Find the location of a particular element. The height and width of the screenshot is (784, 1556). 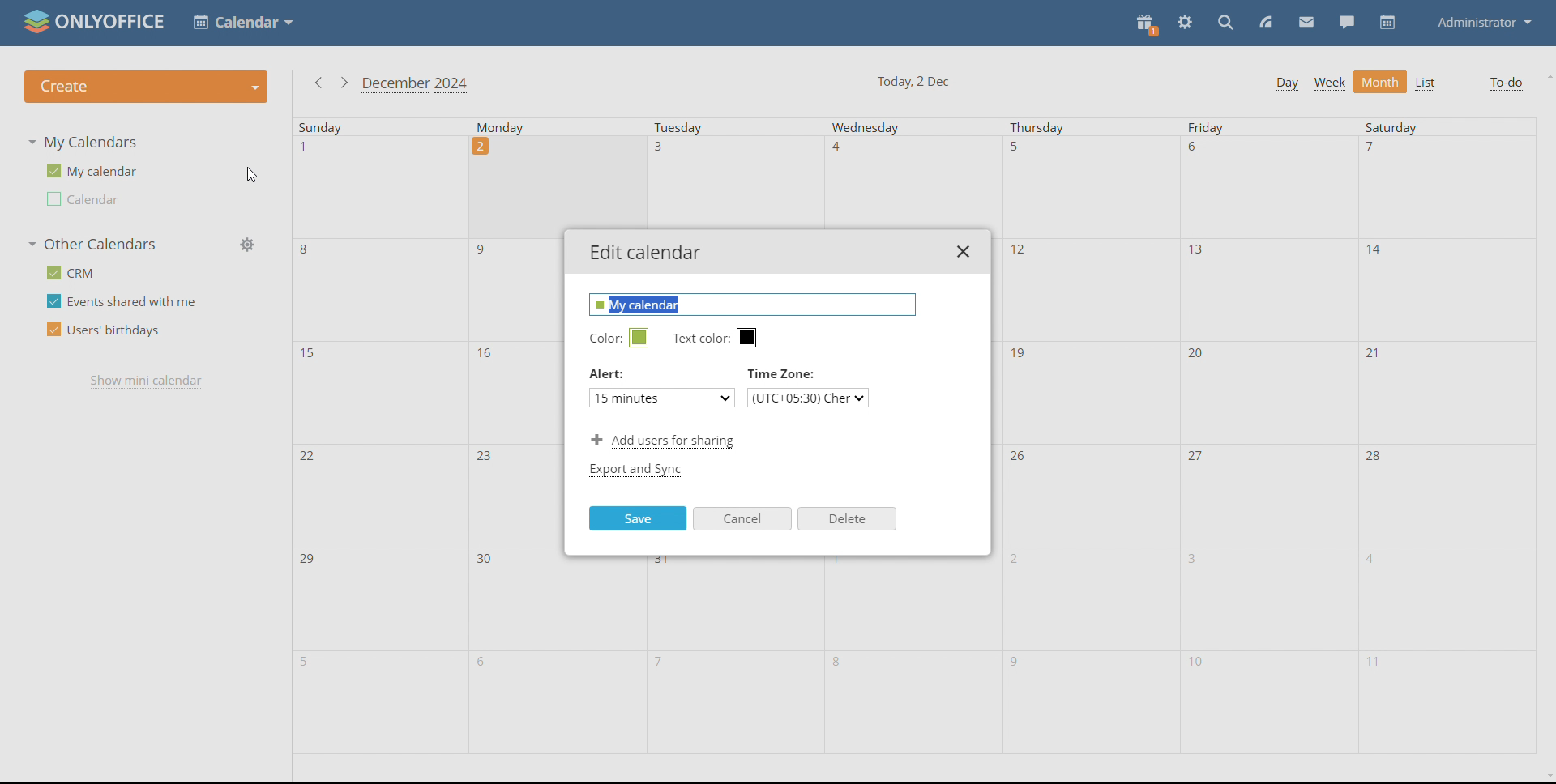

month view is located at coordinates (1379, 81).